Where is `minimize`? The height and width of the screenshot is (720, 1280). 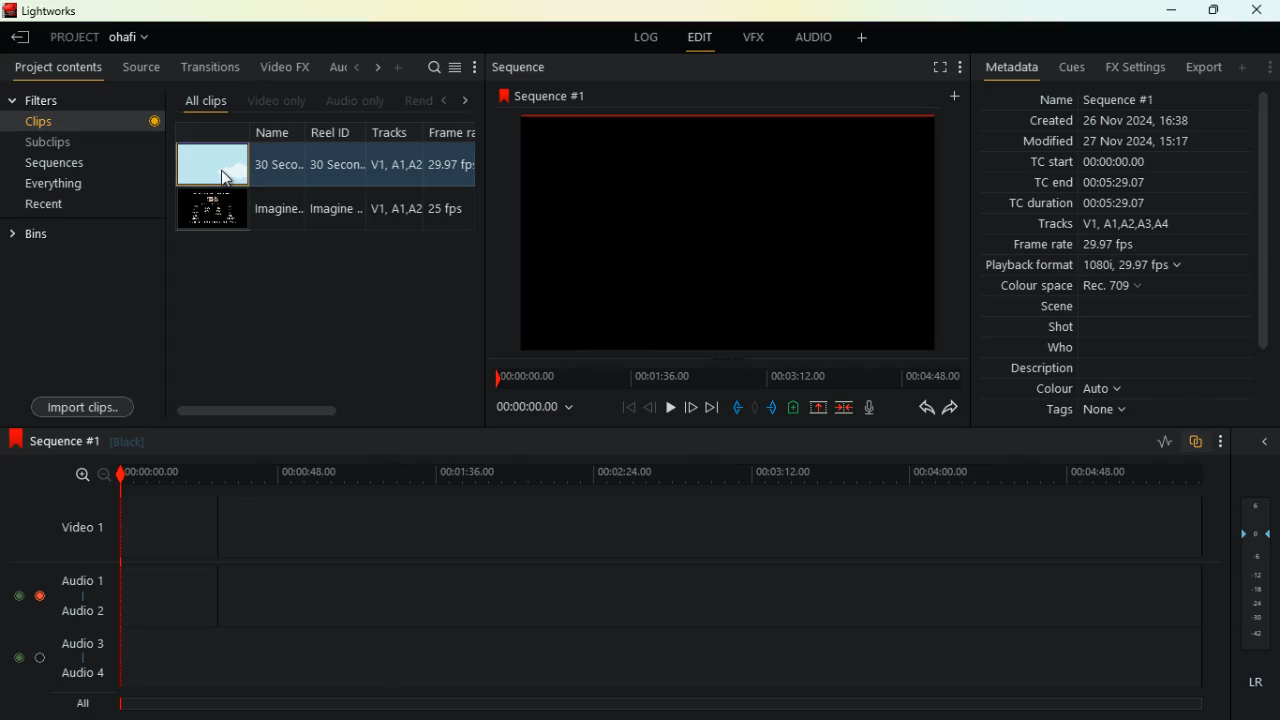
minimize is located at coordinates (1166, 11).